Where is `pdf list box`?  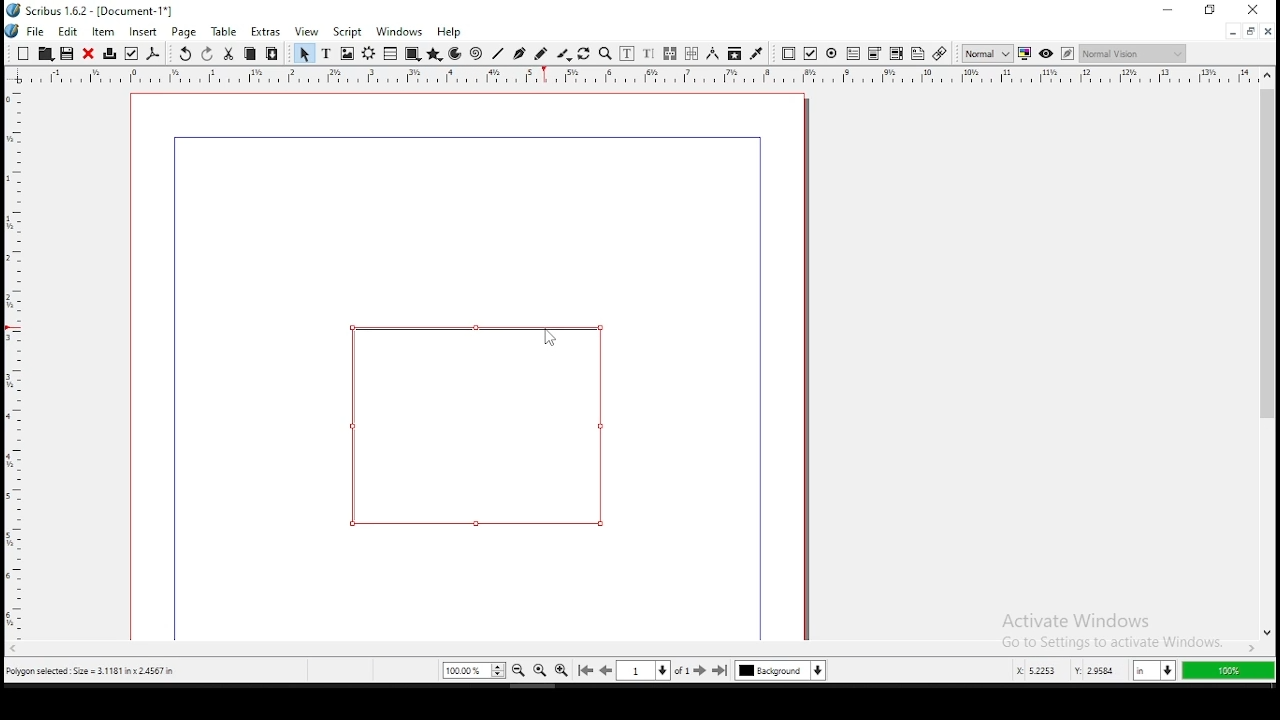
pdf list box is located at coordinates (876, 55).